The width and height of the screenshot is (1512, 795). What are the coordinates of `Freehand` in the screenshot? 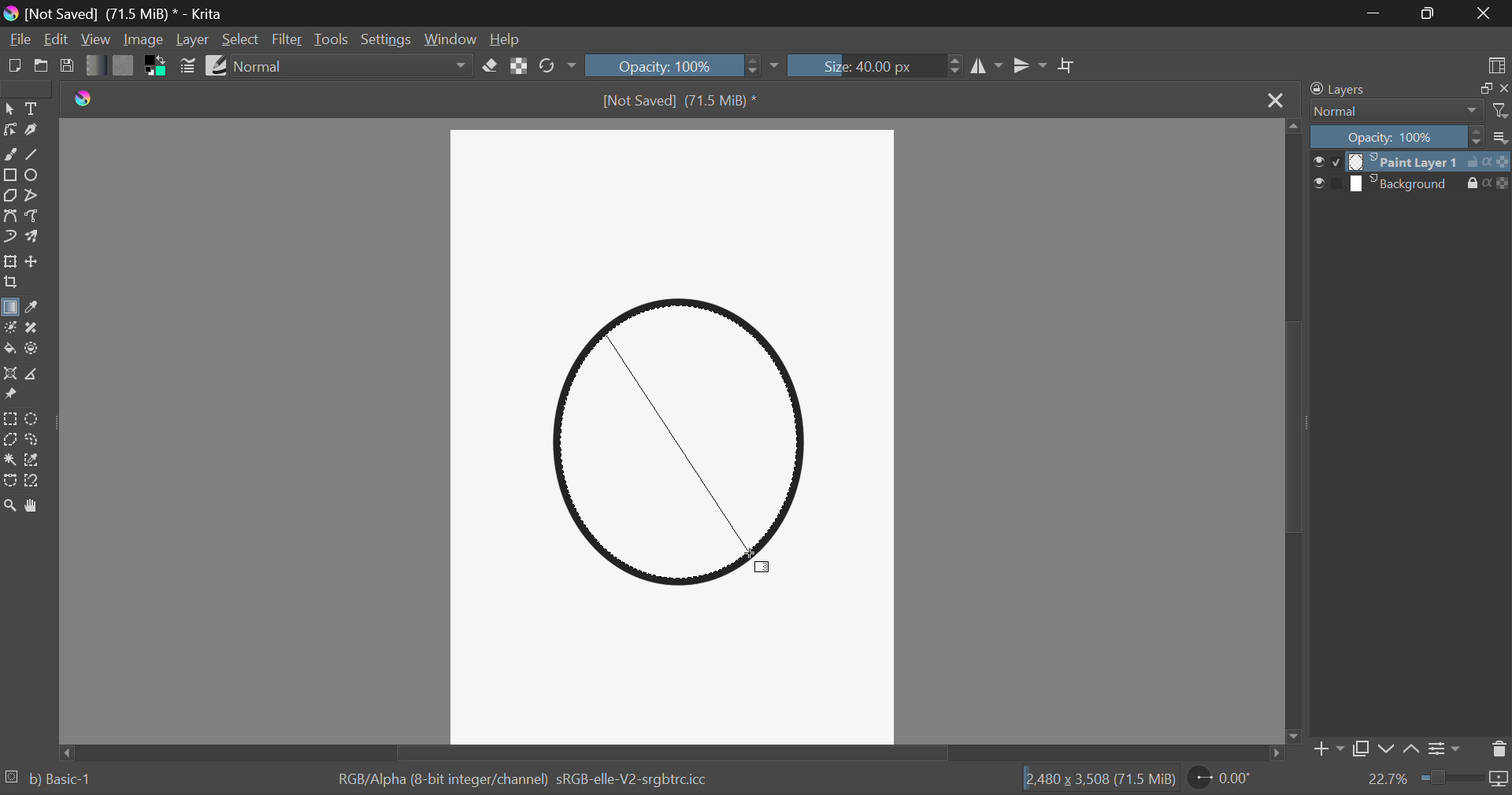 It's located at (9, 155).